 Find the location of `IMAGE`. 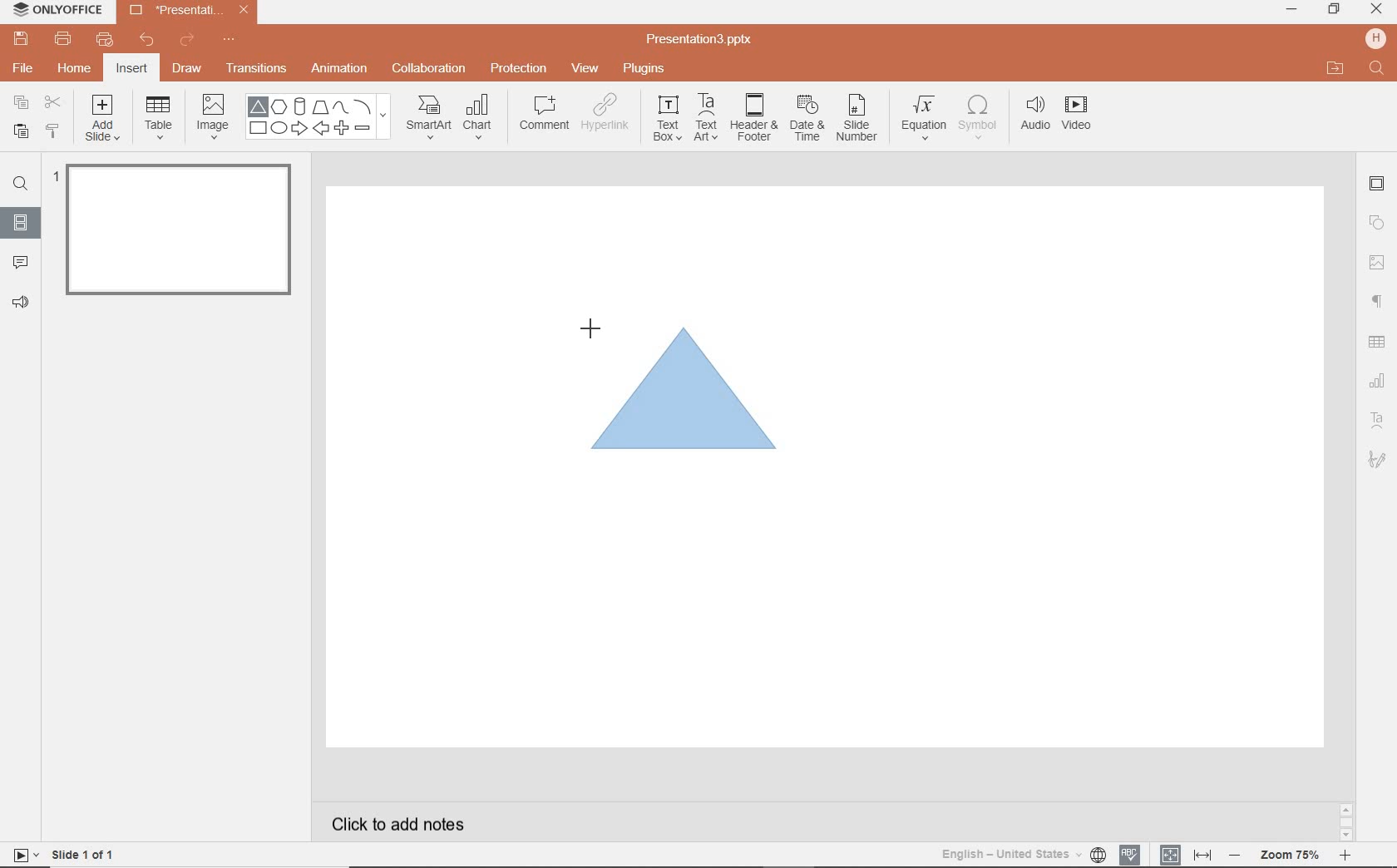

IMAGE is located at coordinates (212, 118).